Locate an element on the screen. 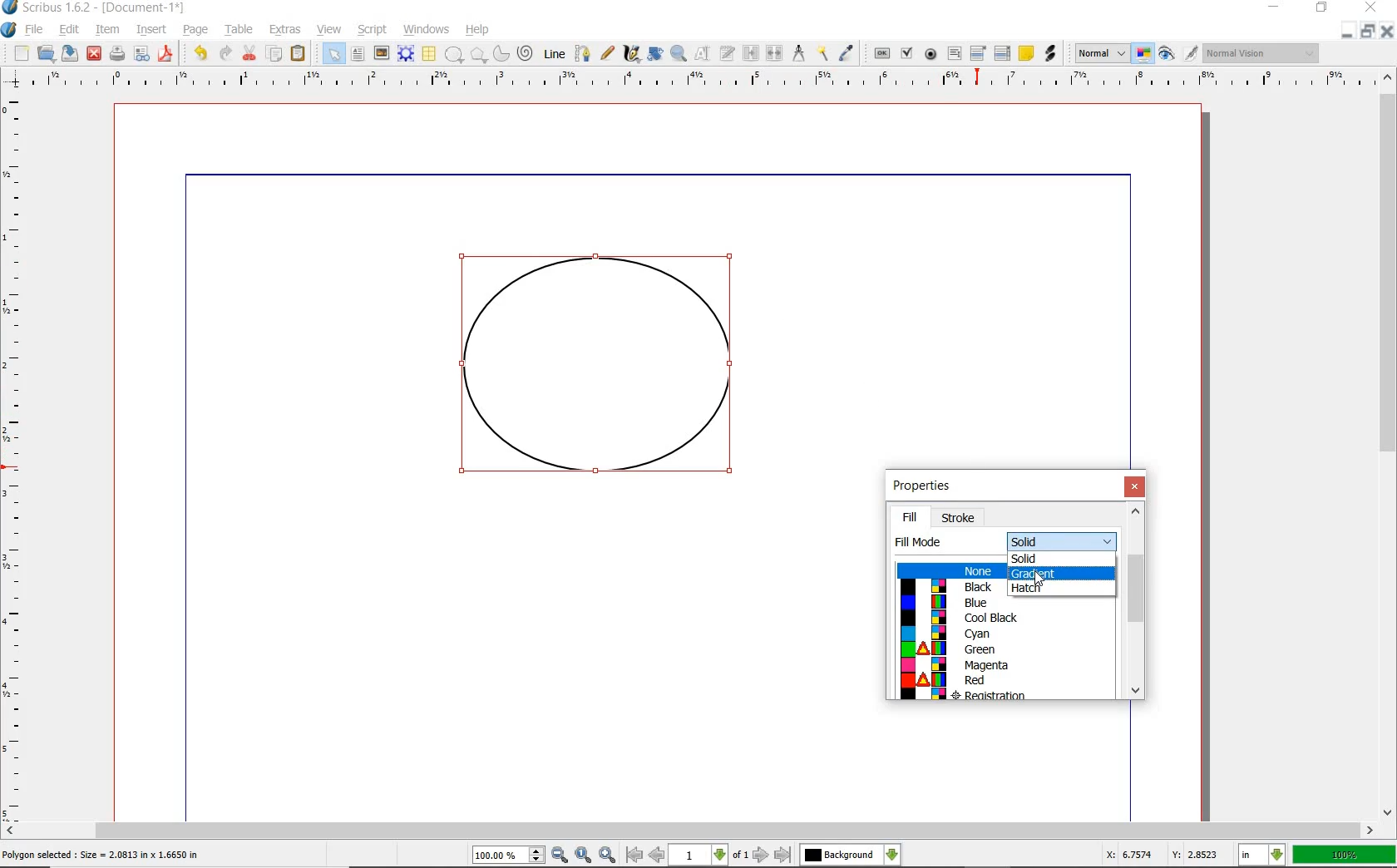 The width and height of the screenshot is (1397, 868). color is located at coordinates (1004, 679).